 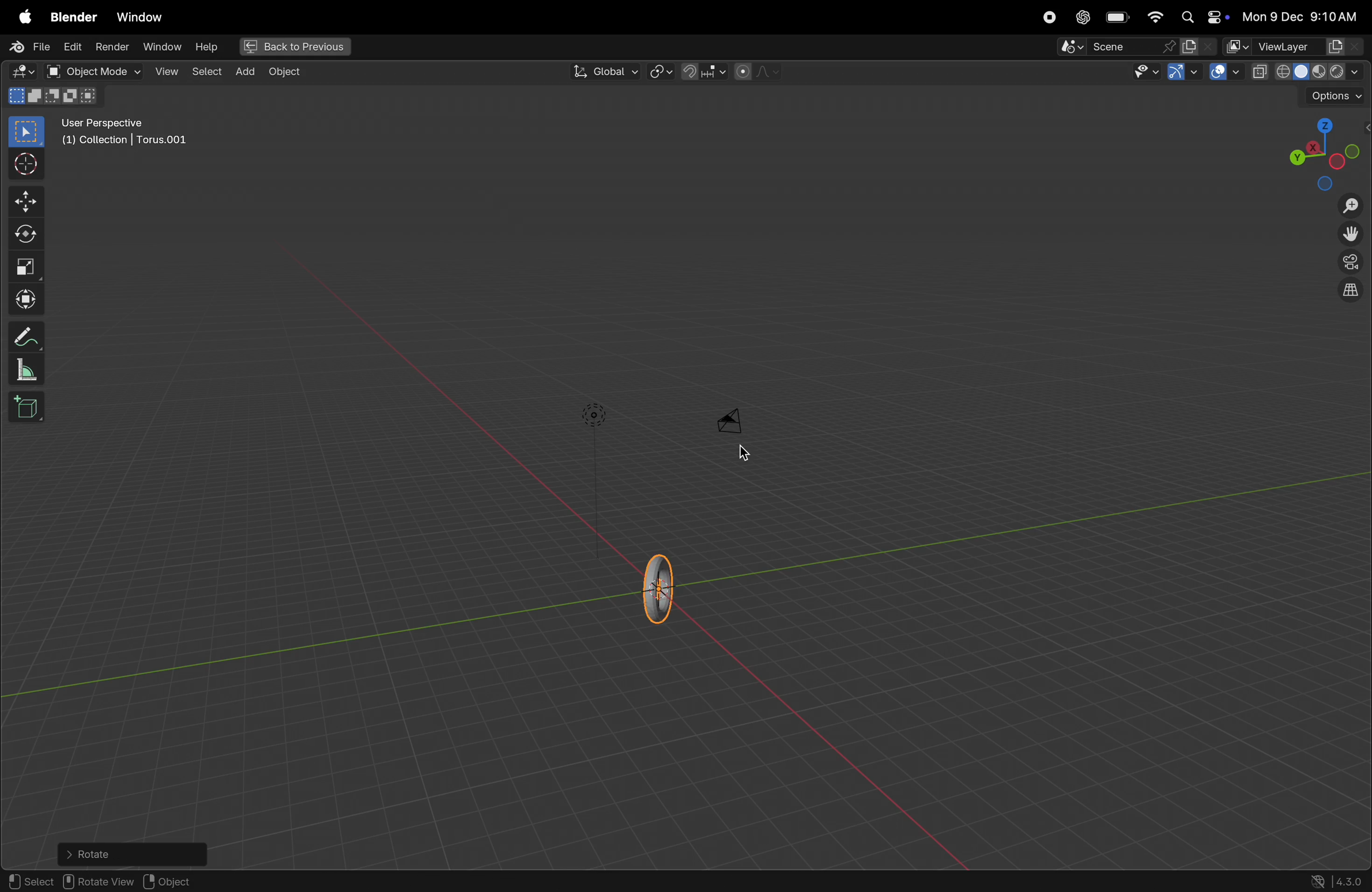 What do you see at coordinates (26, 371) in the screenshot?
I see `measure` at bounding box center [26, 371].